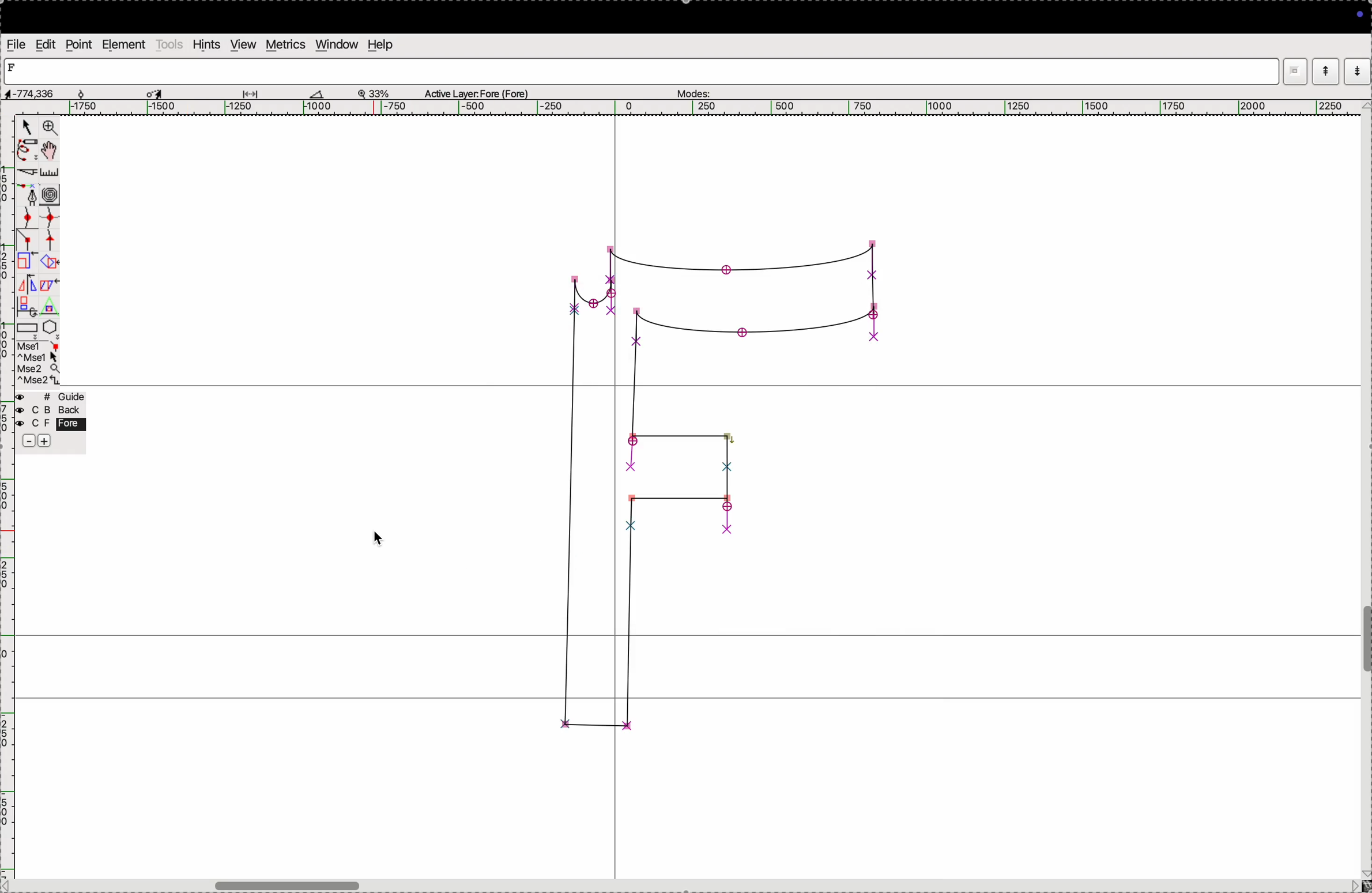  Describe the element at coordinates (1295, 73) in the screenshot. I see `window mode` at that location.